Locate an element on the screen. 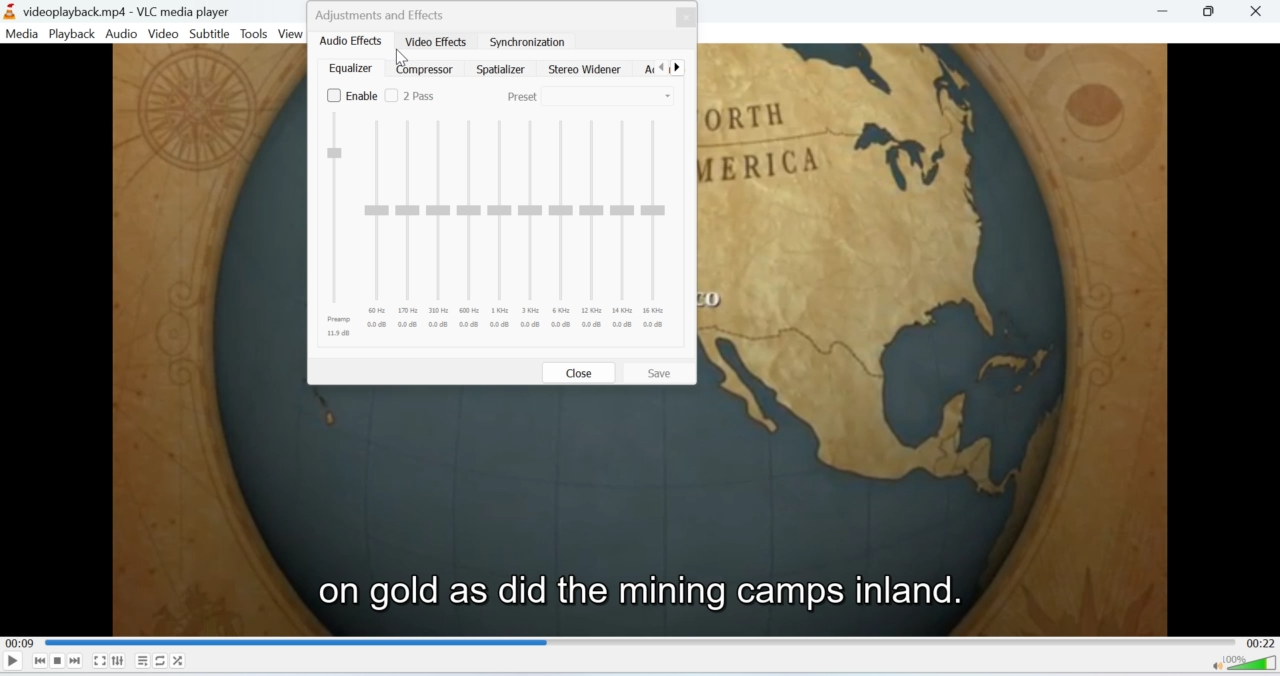 The image size is (1280, 676). Playbar is located at coordinates (640, 641).